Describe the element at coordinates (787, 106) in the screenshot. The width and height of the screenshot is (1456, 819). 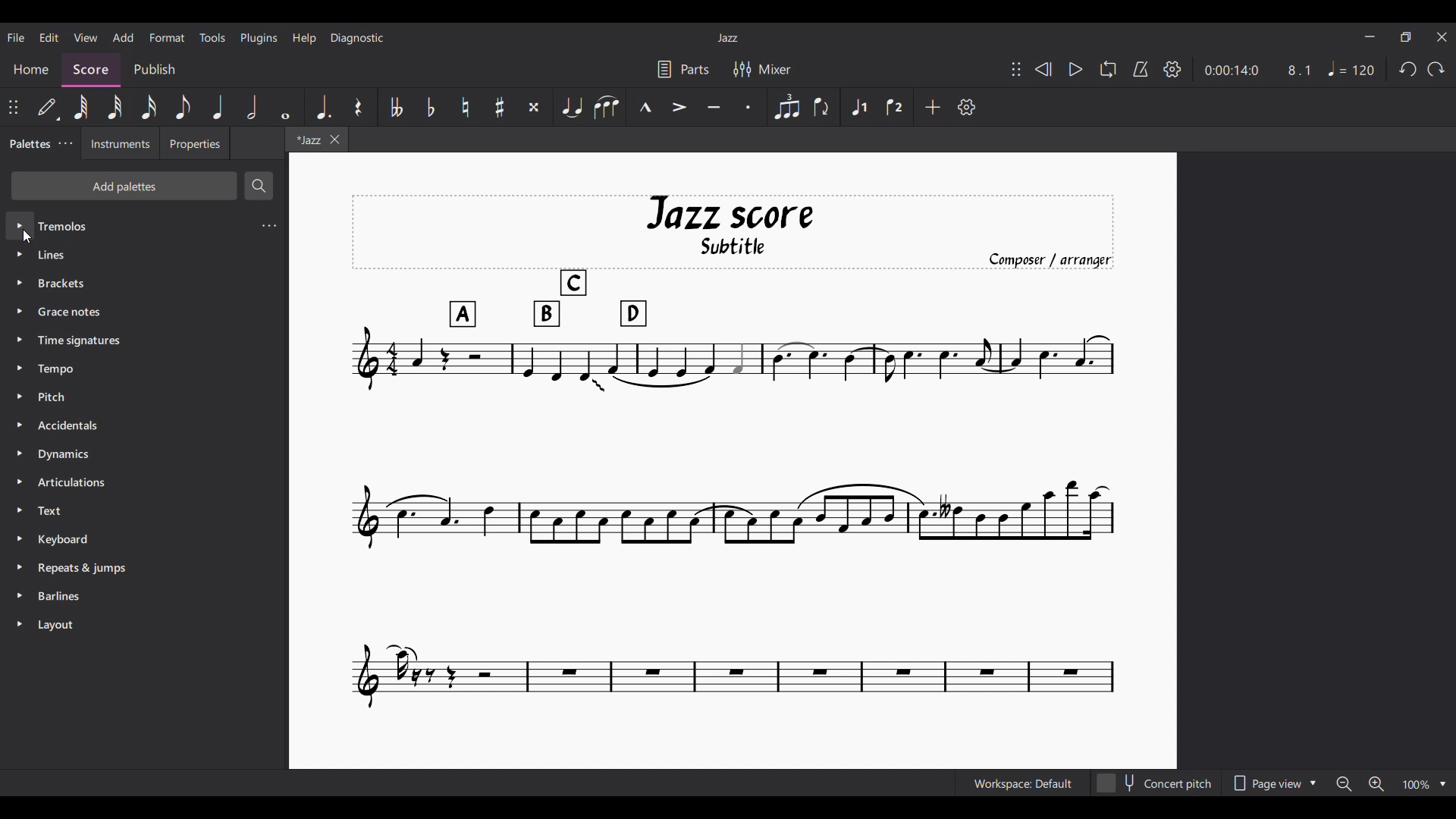
I see `Tuplet` at that location.